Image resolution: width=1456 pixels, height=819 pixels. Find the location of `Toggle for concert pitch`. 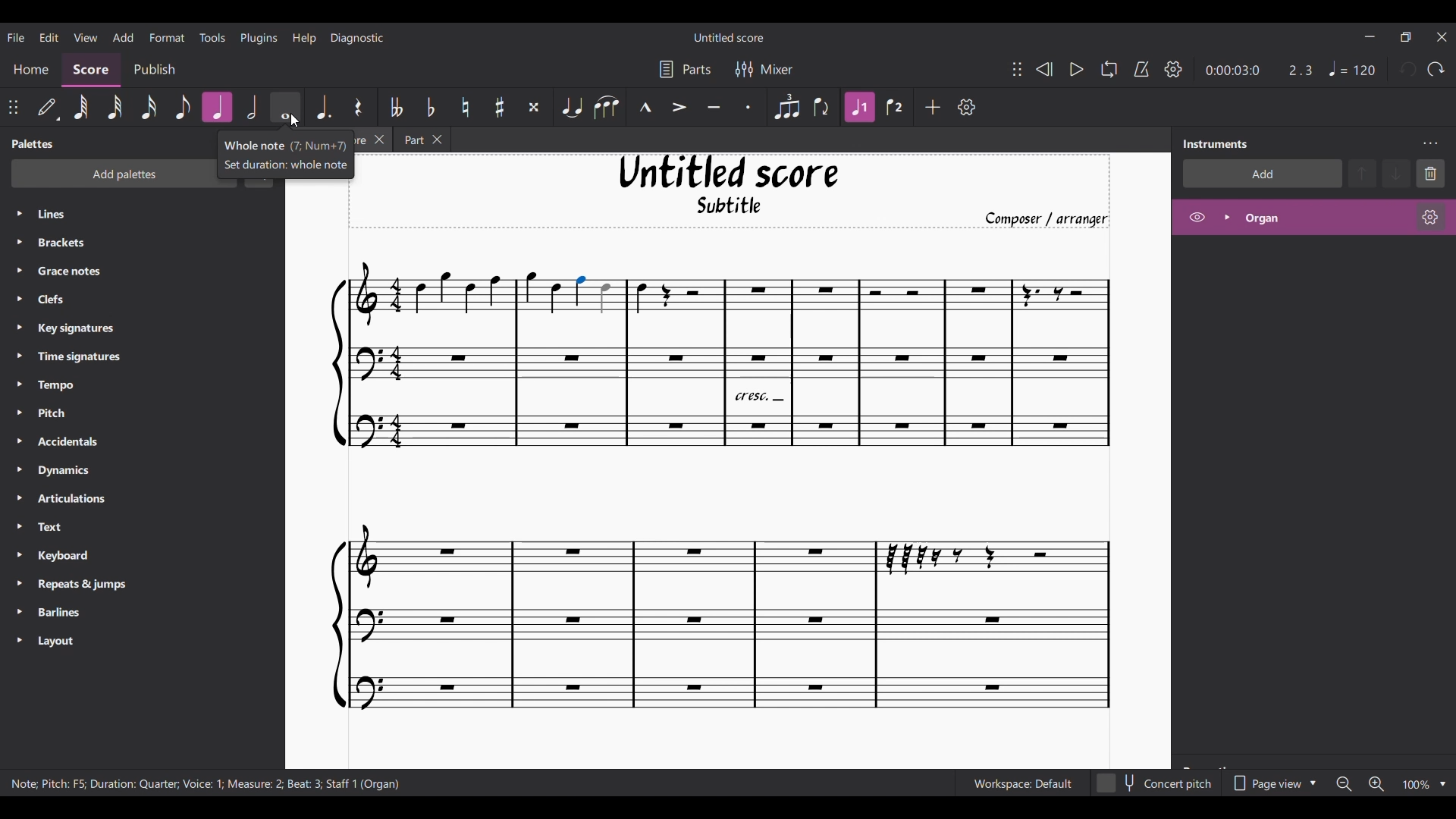

Toggle for concert pitch is located at coordinates (1155, 783).